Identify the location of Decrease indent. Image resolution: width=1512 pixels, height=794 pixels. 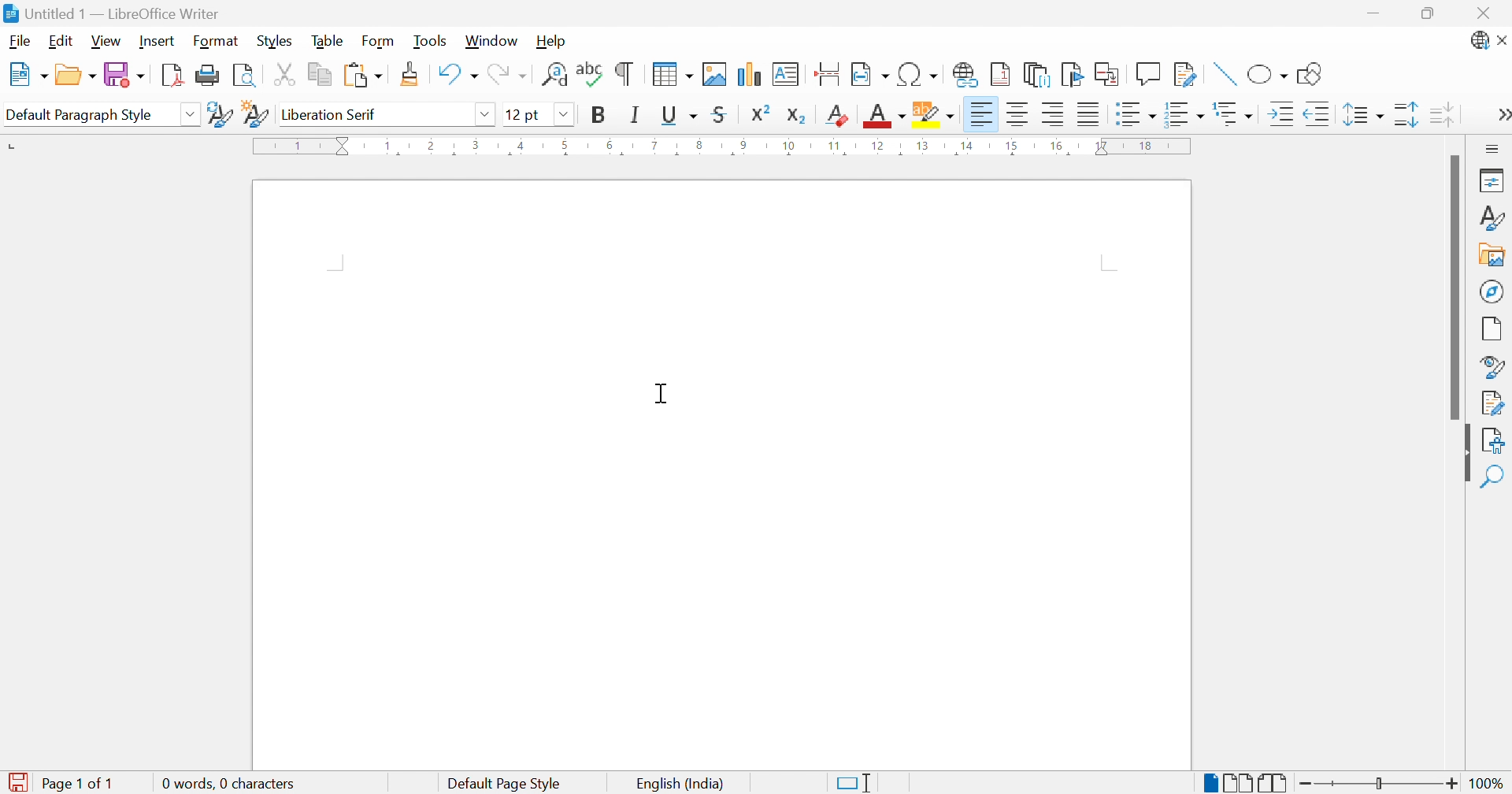
(1318, 117).